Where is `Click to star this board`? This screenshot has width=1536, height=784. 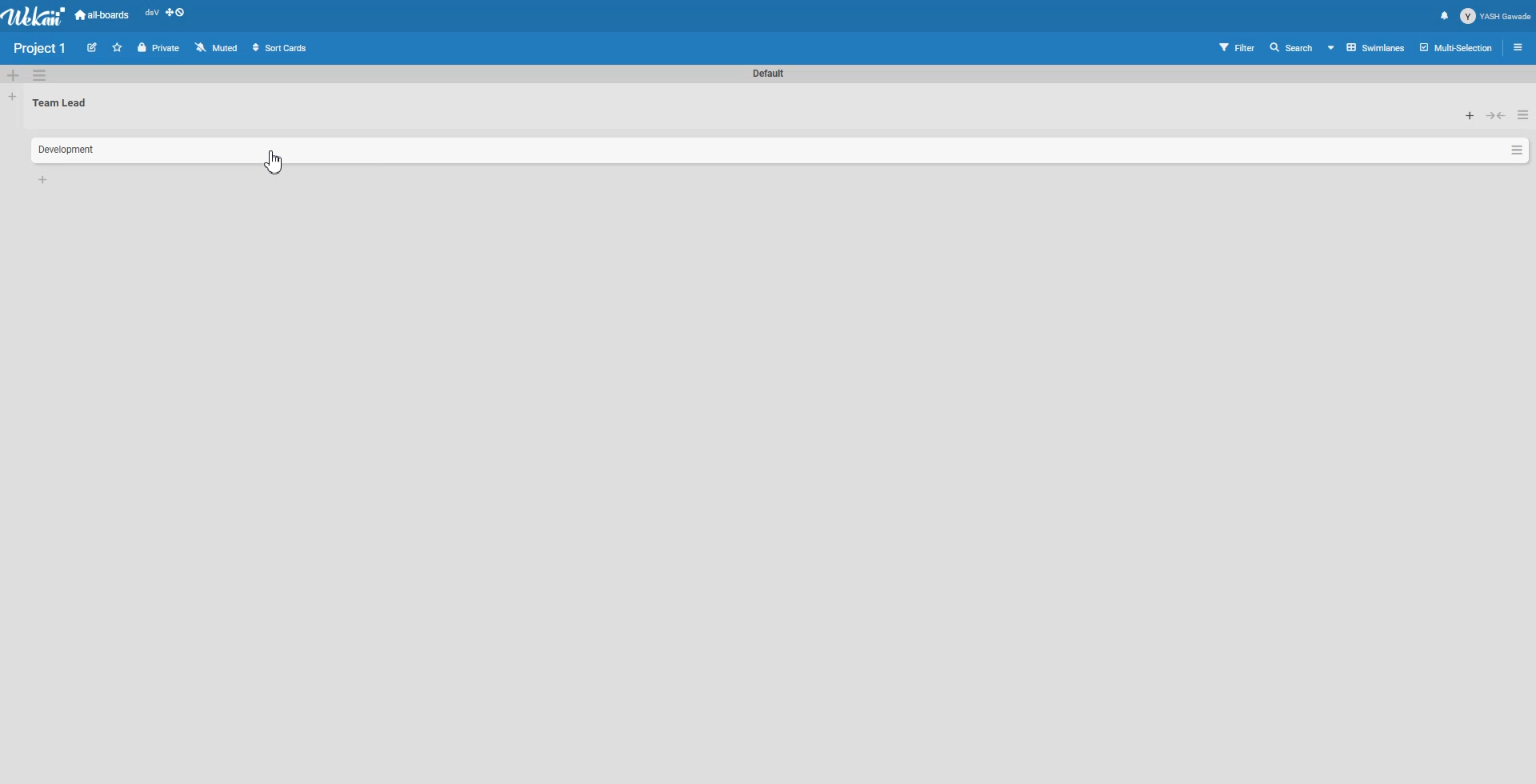 Click to star this board is located at coordinates (118, 47).